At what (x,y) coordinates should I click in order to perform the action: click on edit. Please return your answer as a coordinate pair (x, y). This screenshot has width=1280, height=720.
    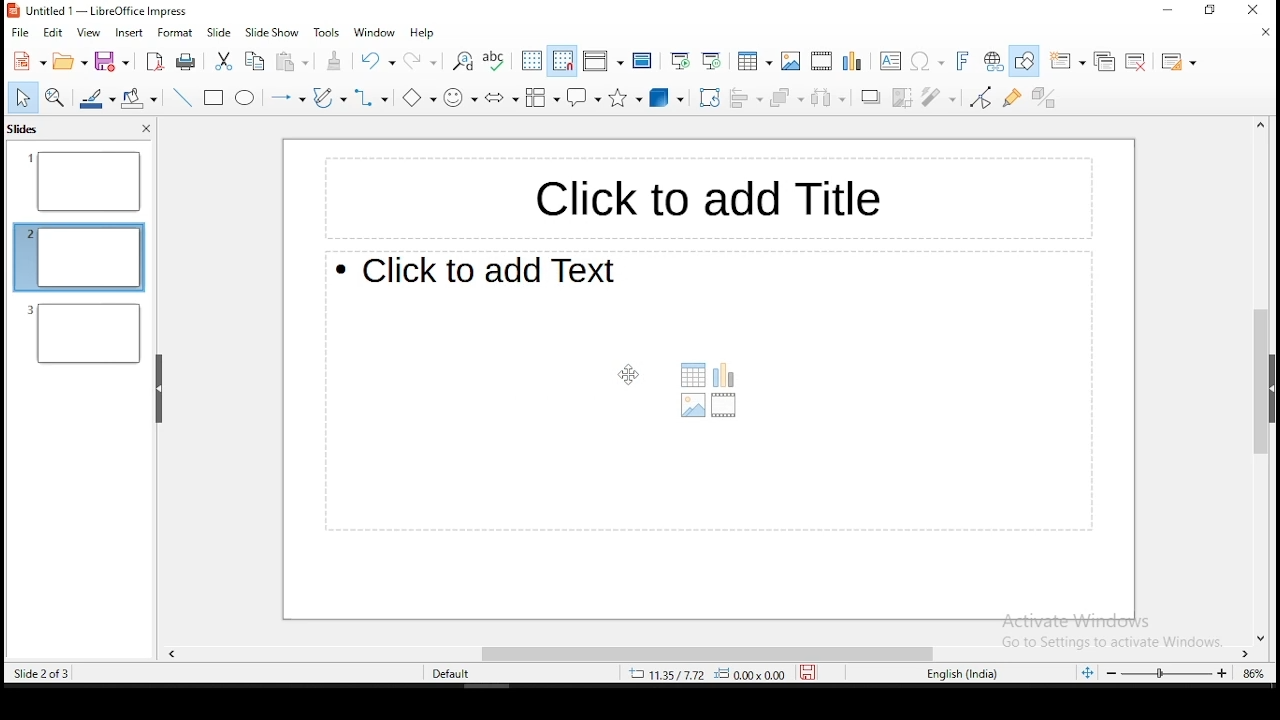
    Looking at the image, I should click on (53, 35).